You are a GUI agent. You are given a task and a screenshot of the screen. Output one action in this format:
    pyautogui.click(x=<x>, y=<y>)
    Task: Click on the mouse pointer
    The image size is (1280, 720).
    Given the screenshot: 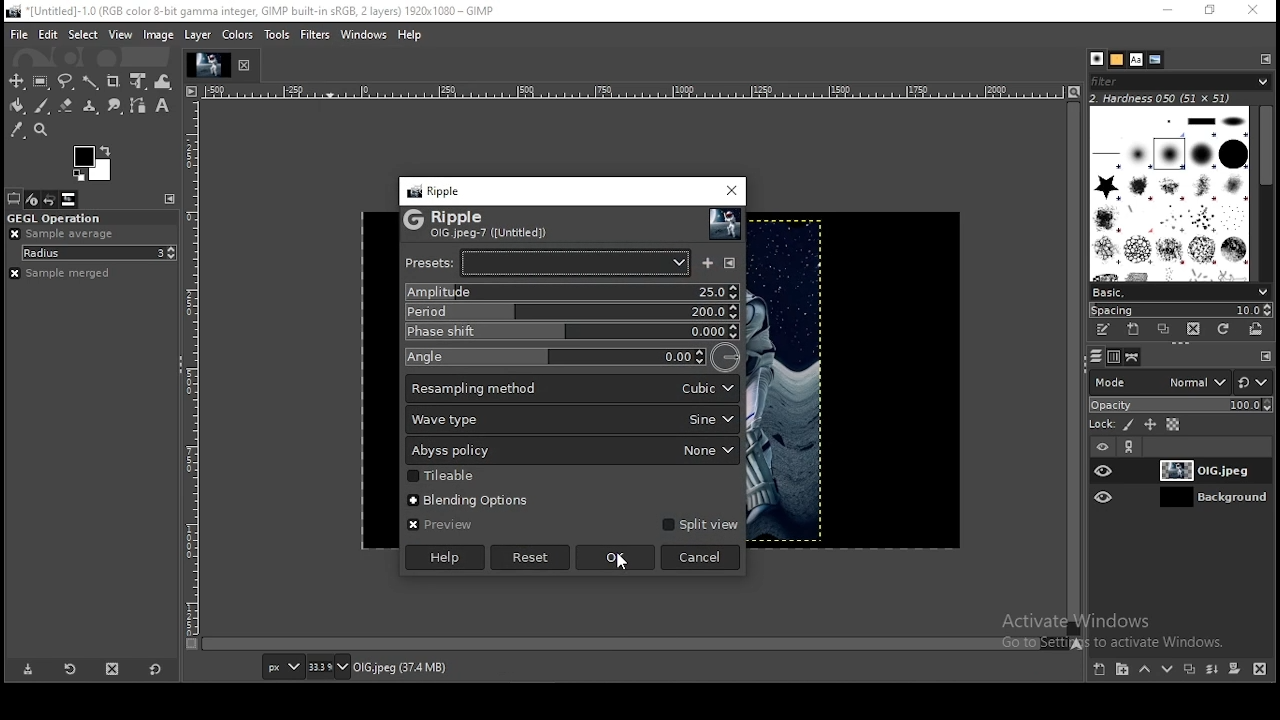 What is the action you would take?
    pyautogui.click(x=623, y=562)
    